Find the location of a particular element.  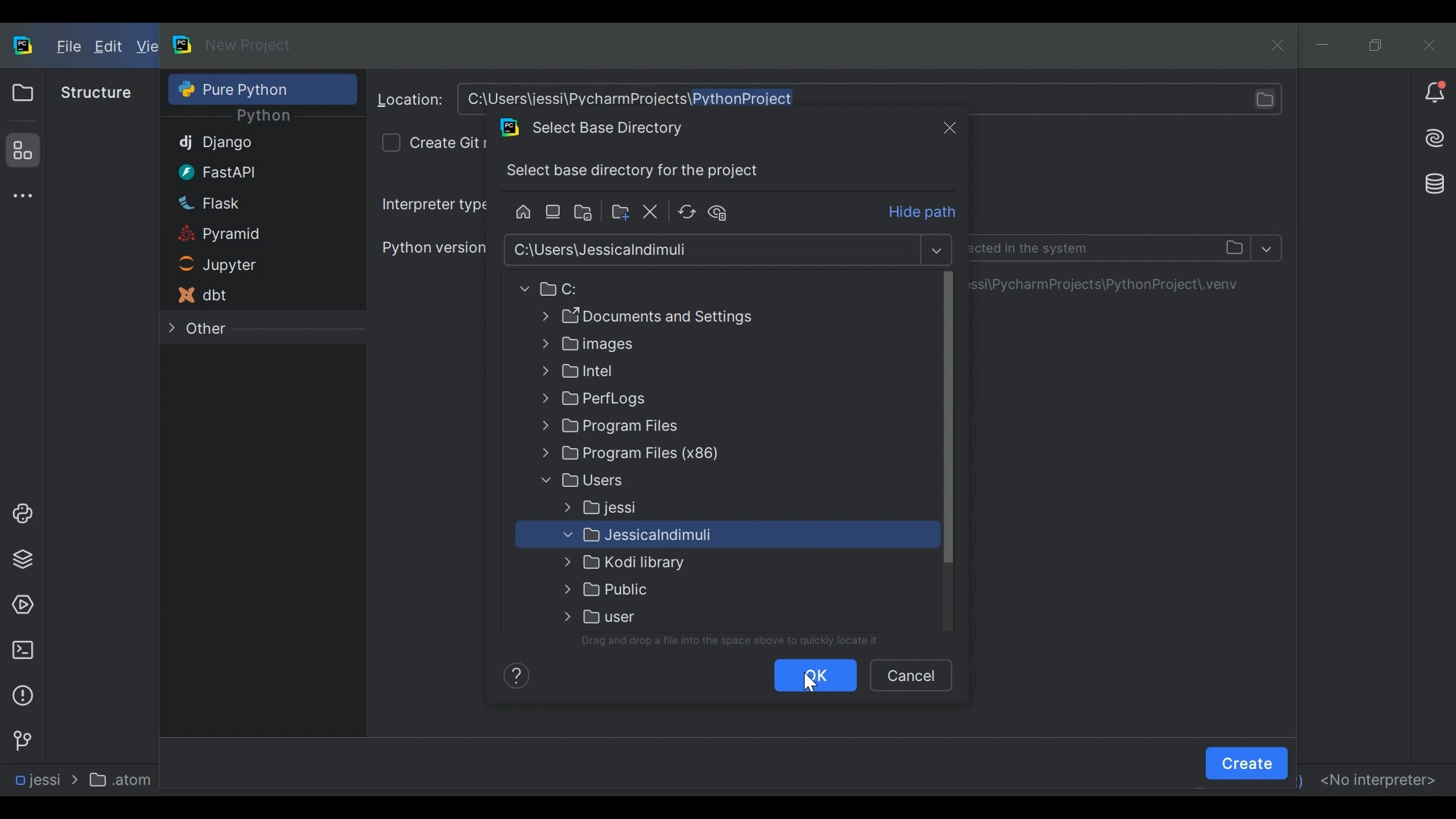

Cancel is located at coordinates (910, 674).